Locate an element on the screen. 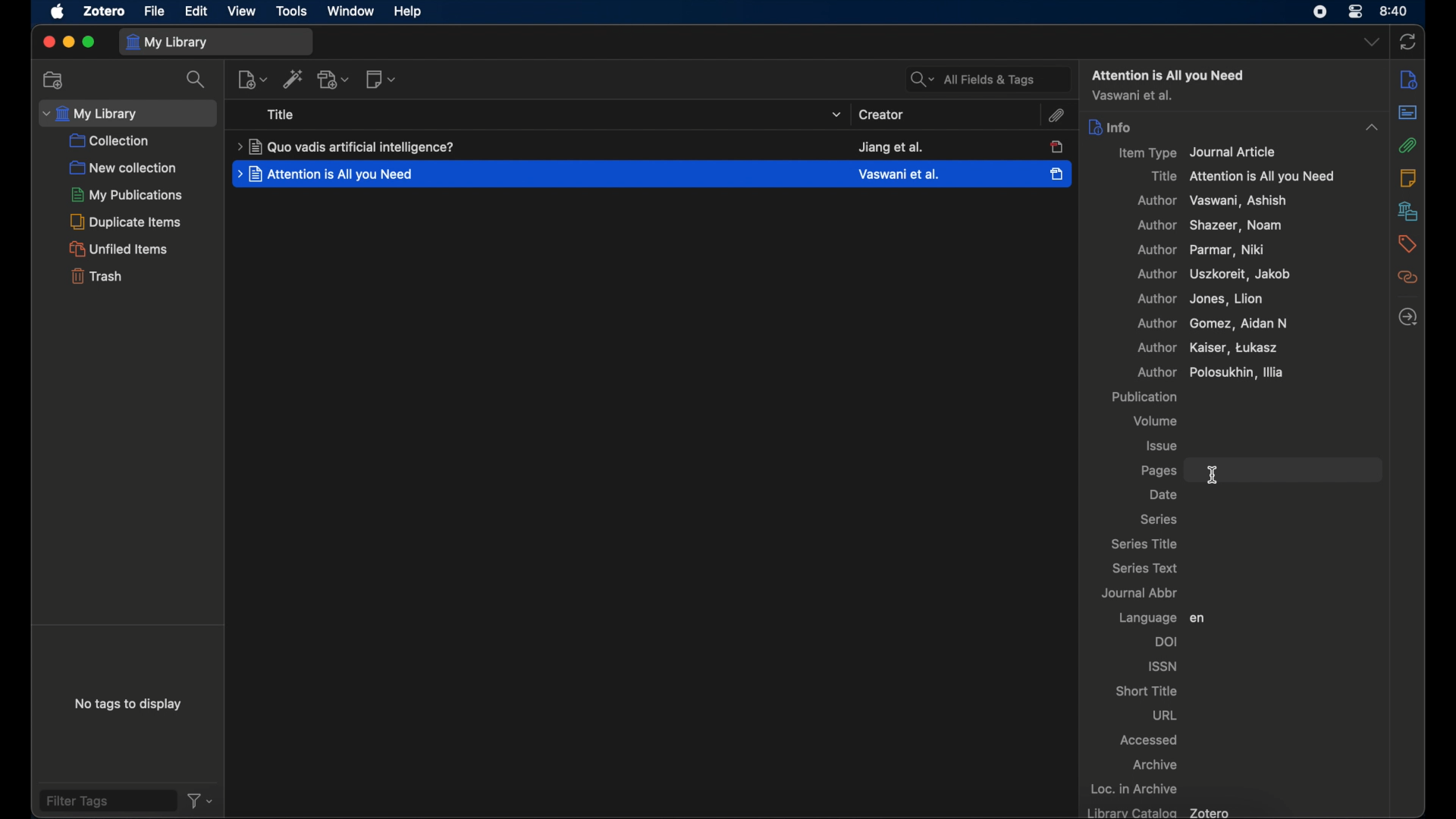  related is located at coordinates (1407, 278).